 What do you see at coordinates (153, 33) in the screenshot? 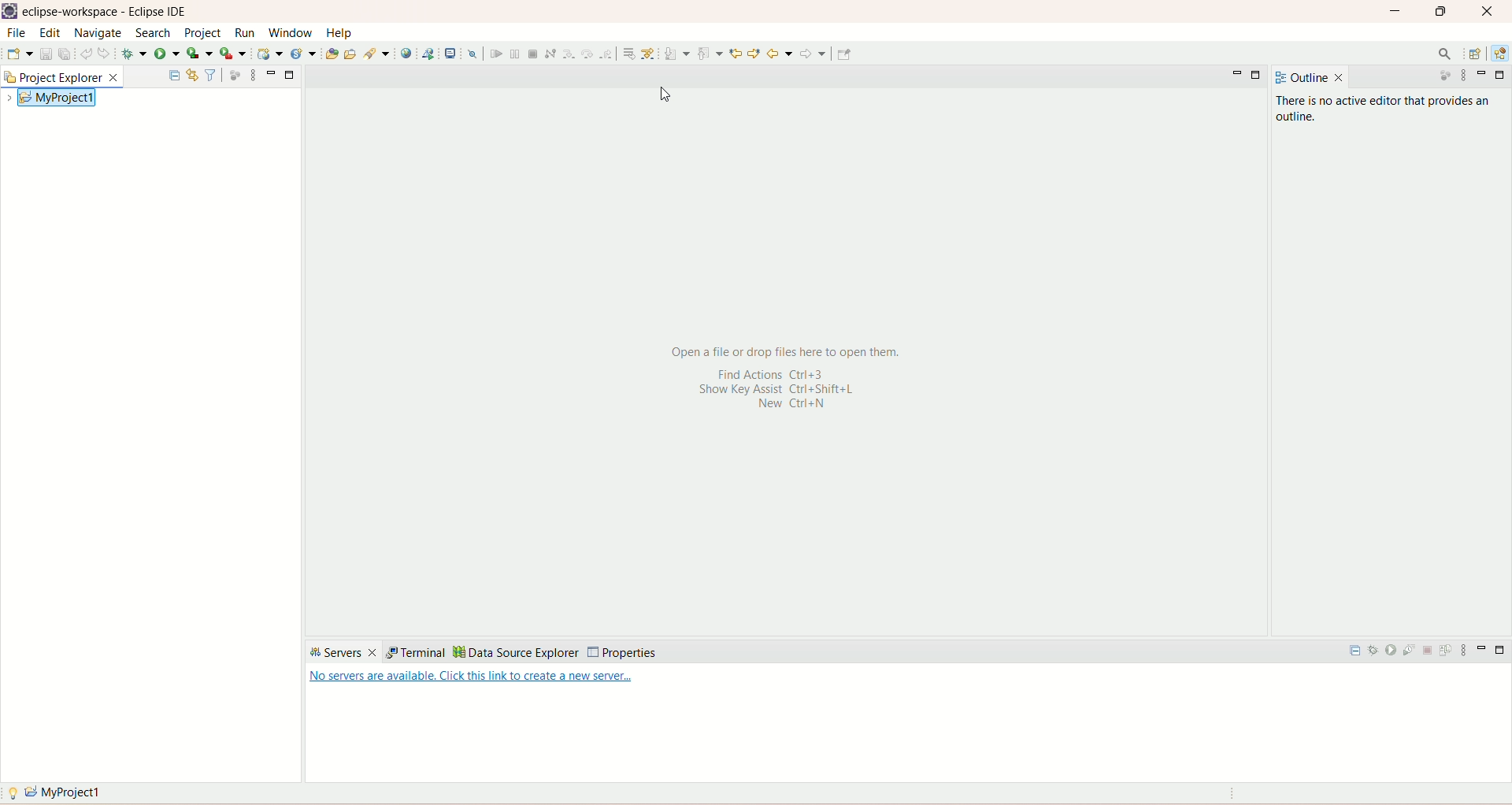
I see `search` at bounding box center [153, 33].